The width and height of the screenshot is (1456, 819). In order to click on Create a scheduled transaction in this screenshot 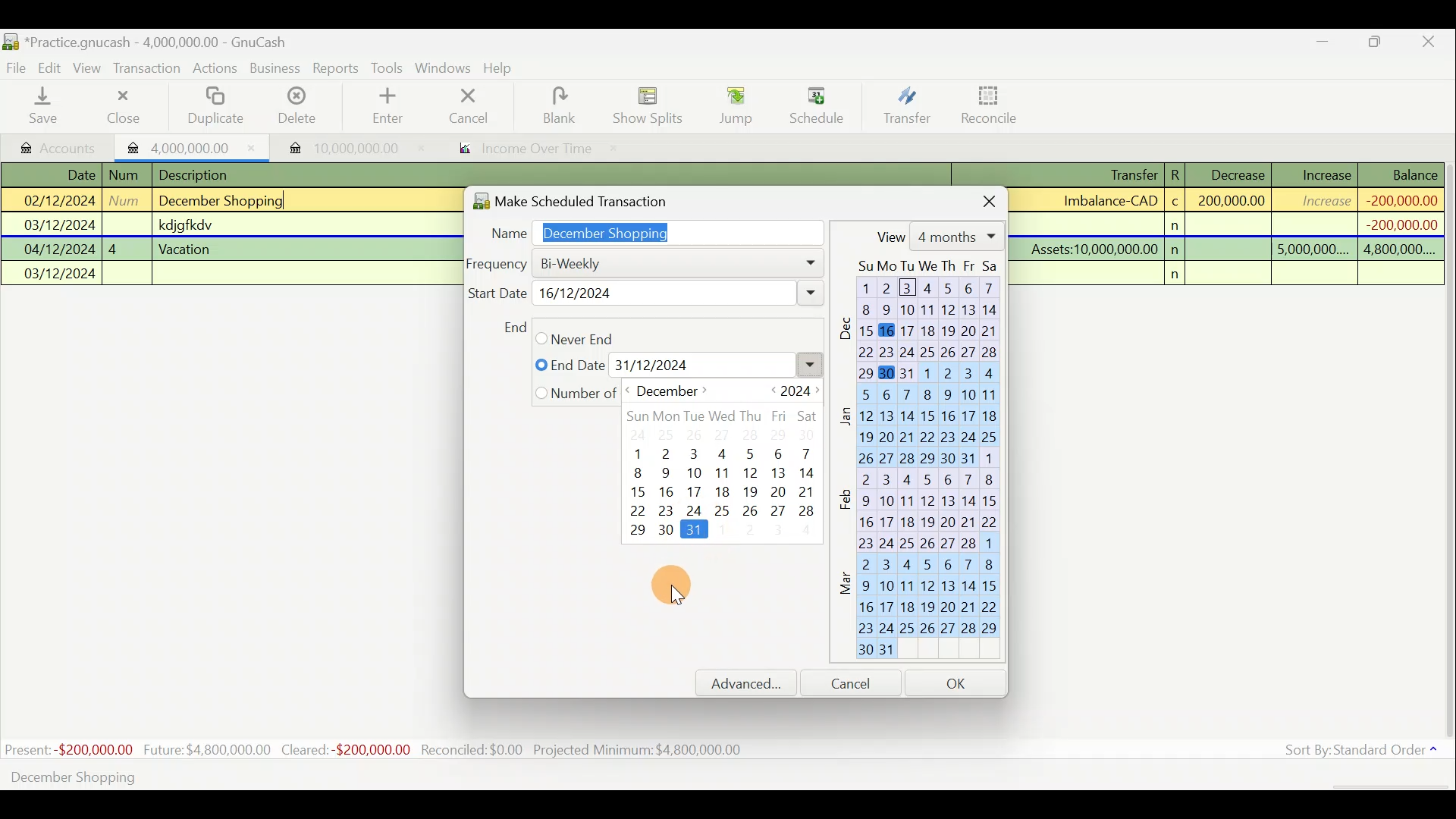, I will do `click(461, 776)`.